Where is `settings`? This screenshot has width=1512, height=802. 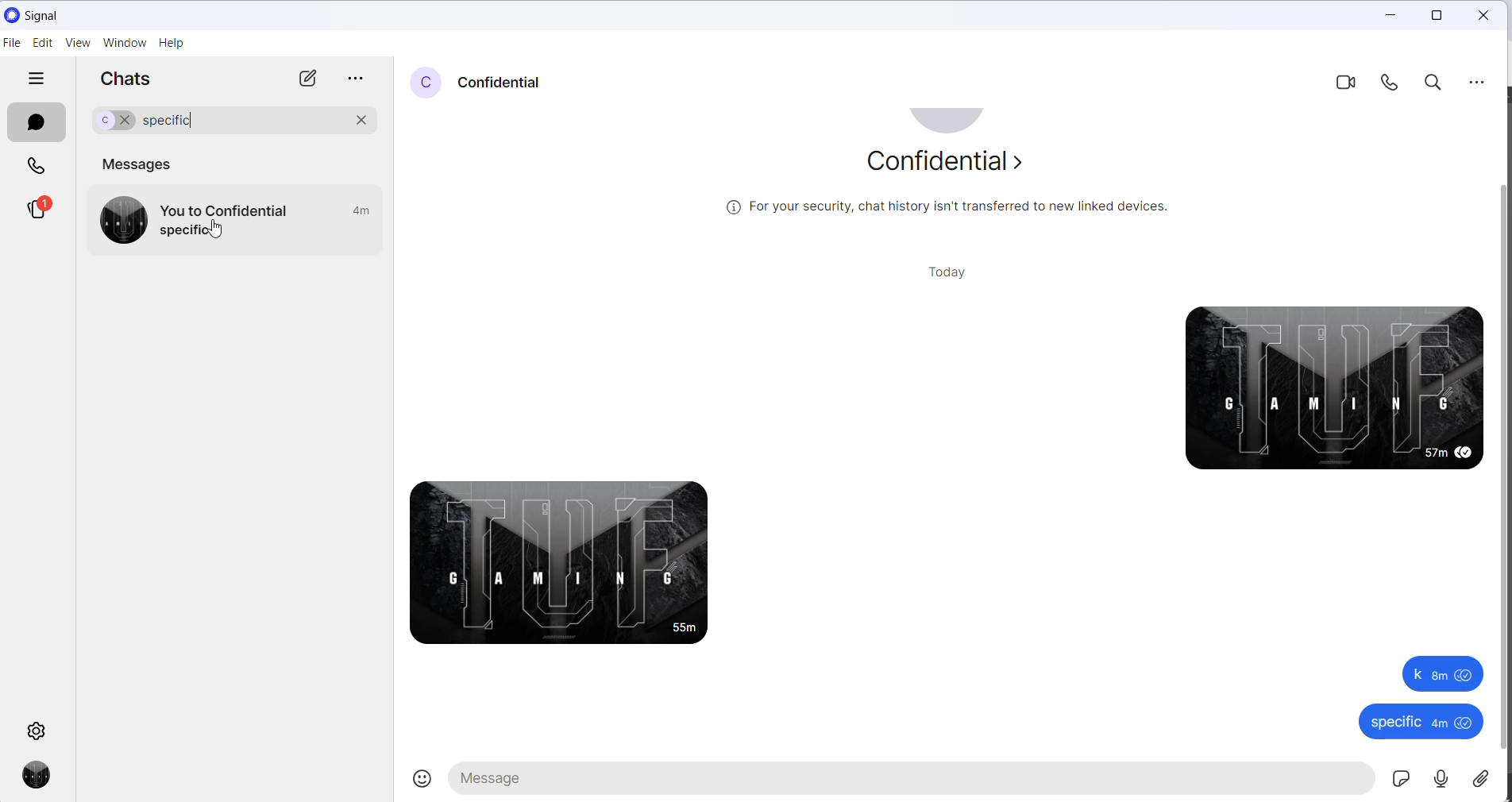
settings is located at coordinates (37, 728).